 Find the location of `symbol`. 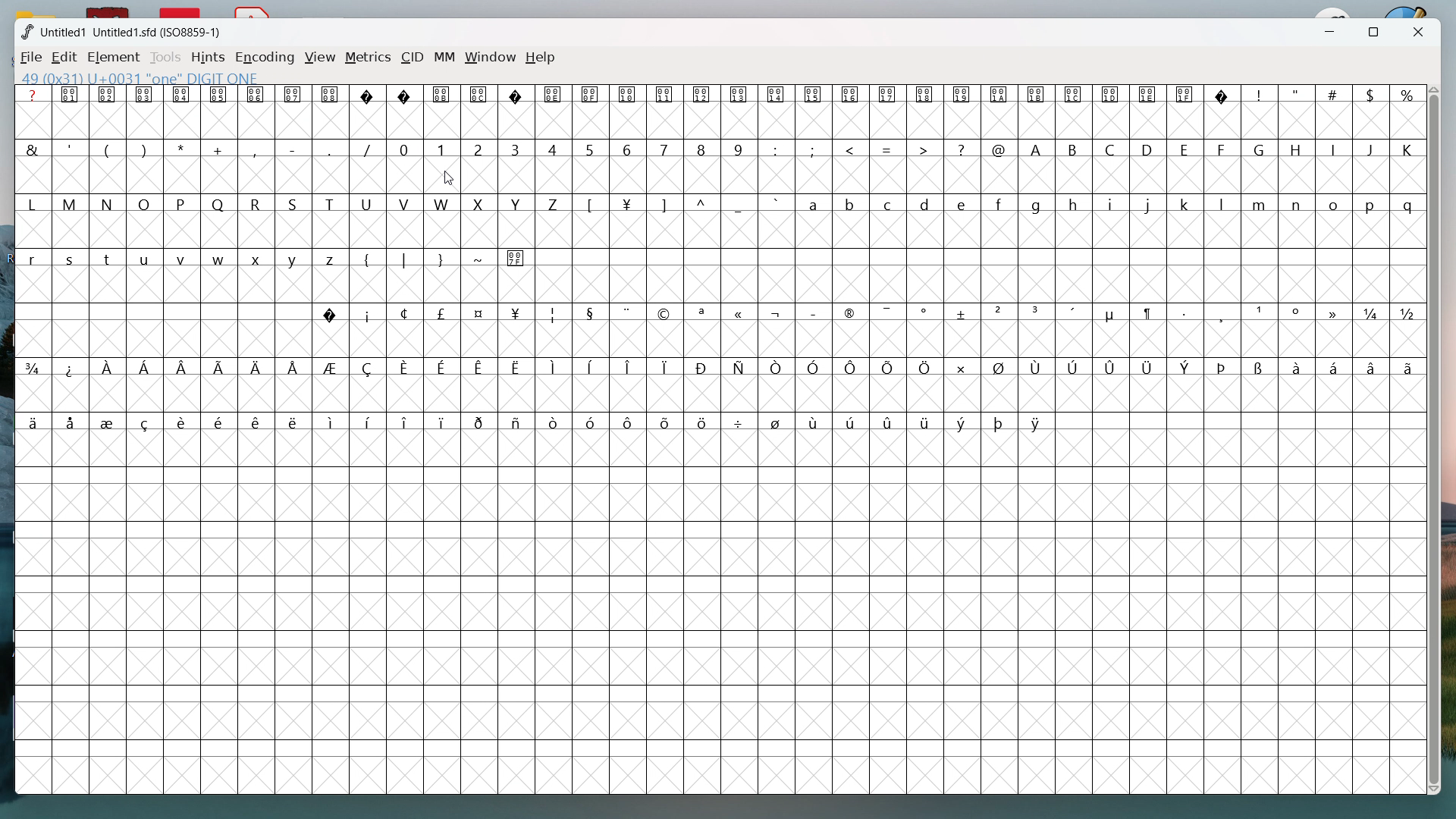

symbol is located at coordinates (703, 93).